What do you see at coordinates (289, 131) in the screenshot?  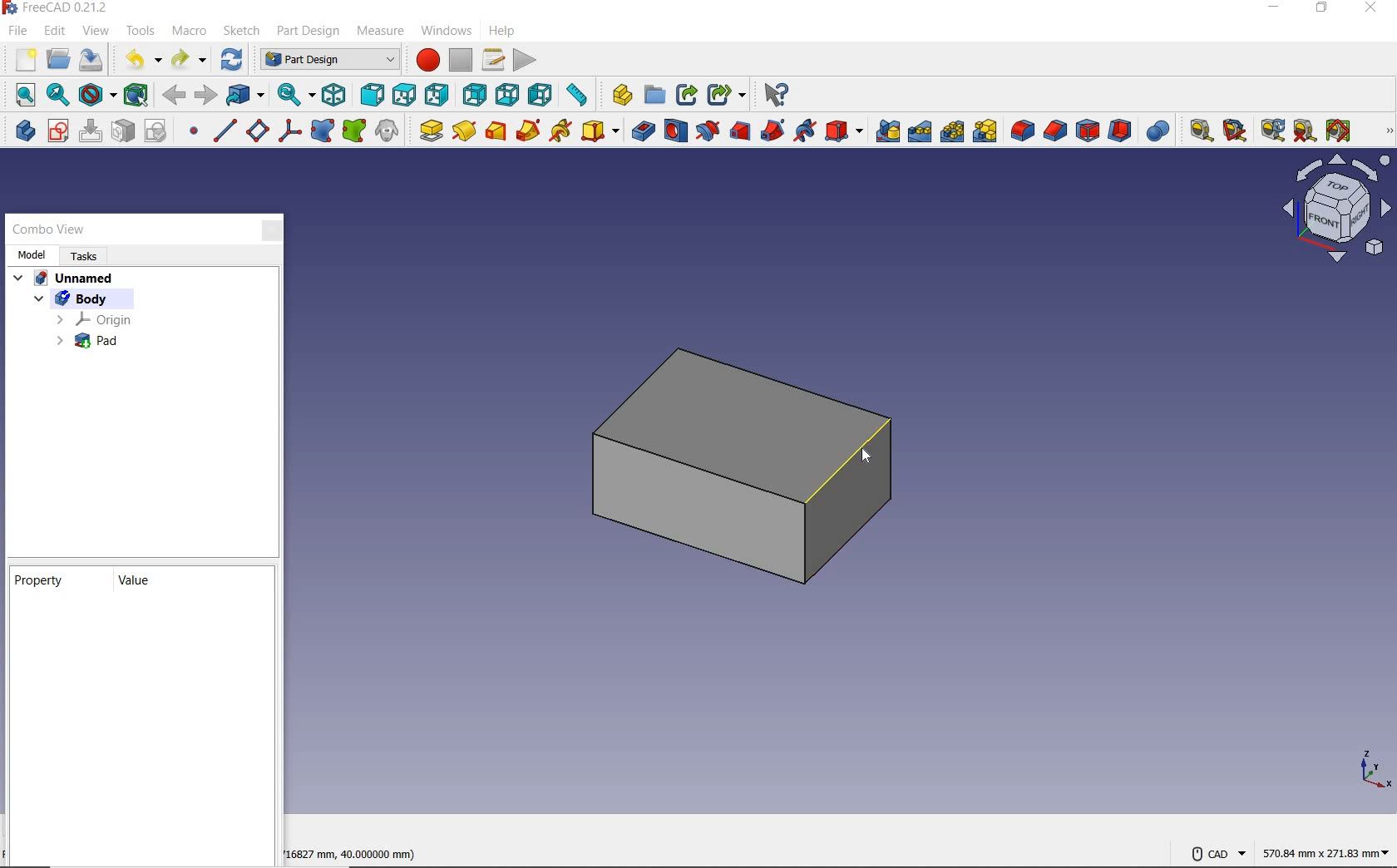 I see `create a local coordinate system` at bounding box center [289, 131].